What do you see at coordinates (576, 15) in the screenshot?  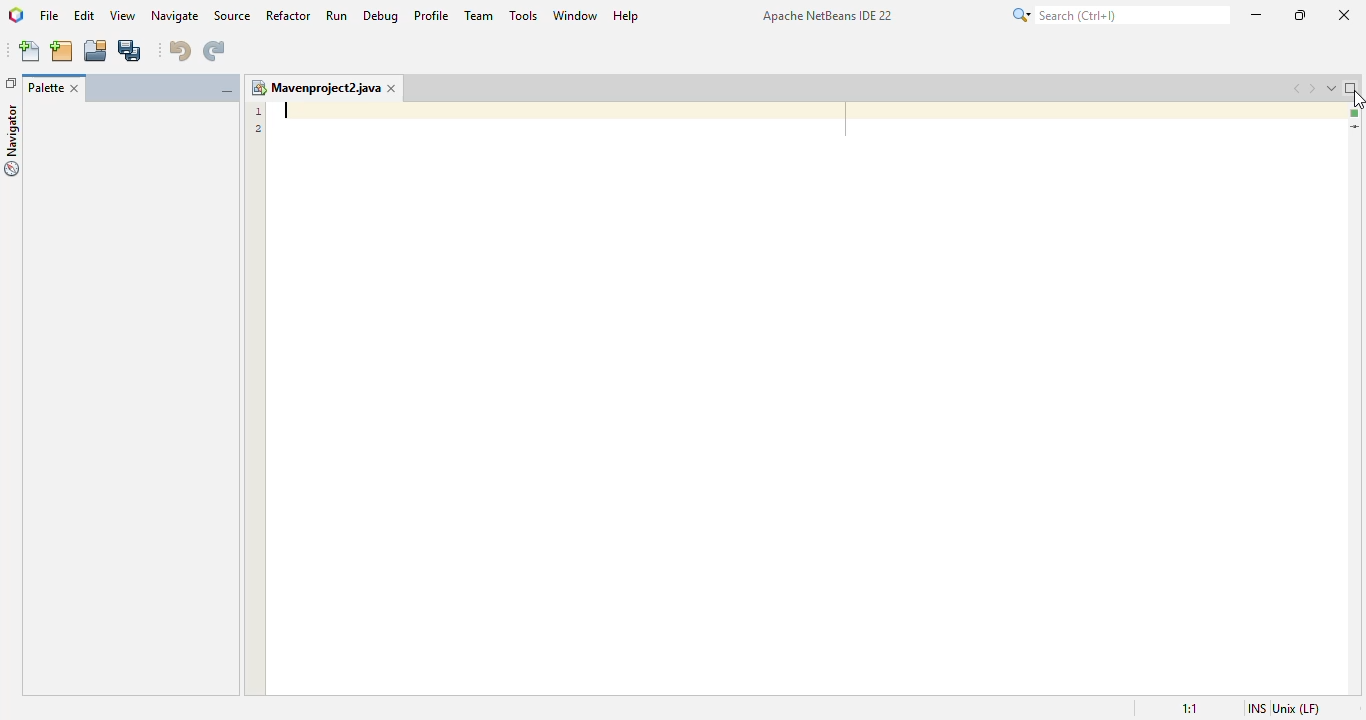 I see `window` at bounding box center [576, 15].